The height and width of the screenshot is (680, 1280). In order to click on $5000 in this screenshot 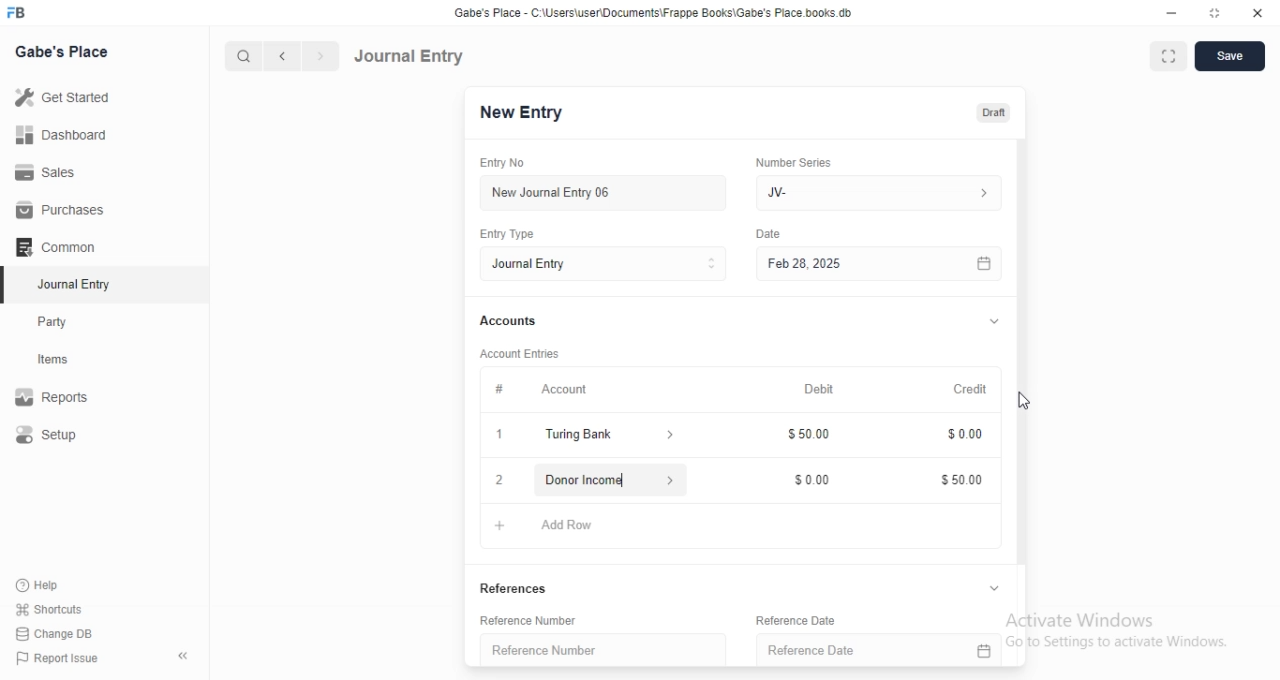, I will do `click(964, 480)`.